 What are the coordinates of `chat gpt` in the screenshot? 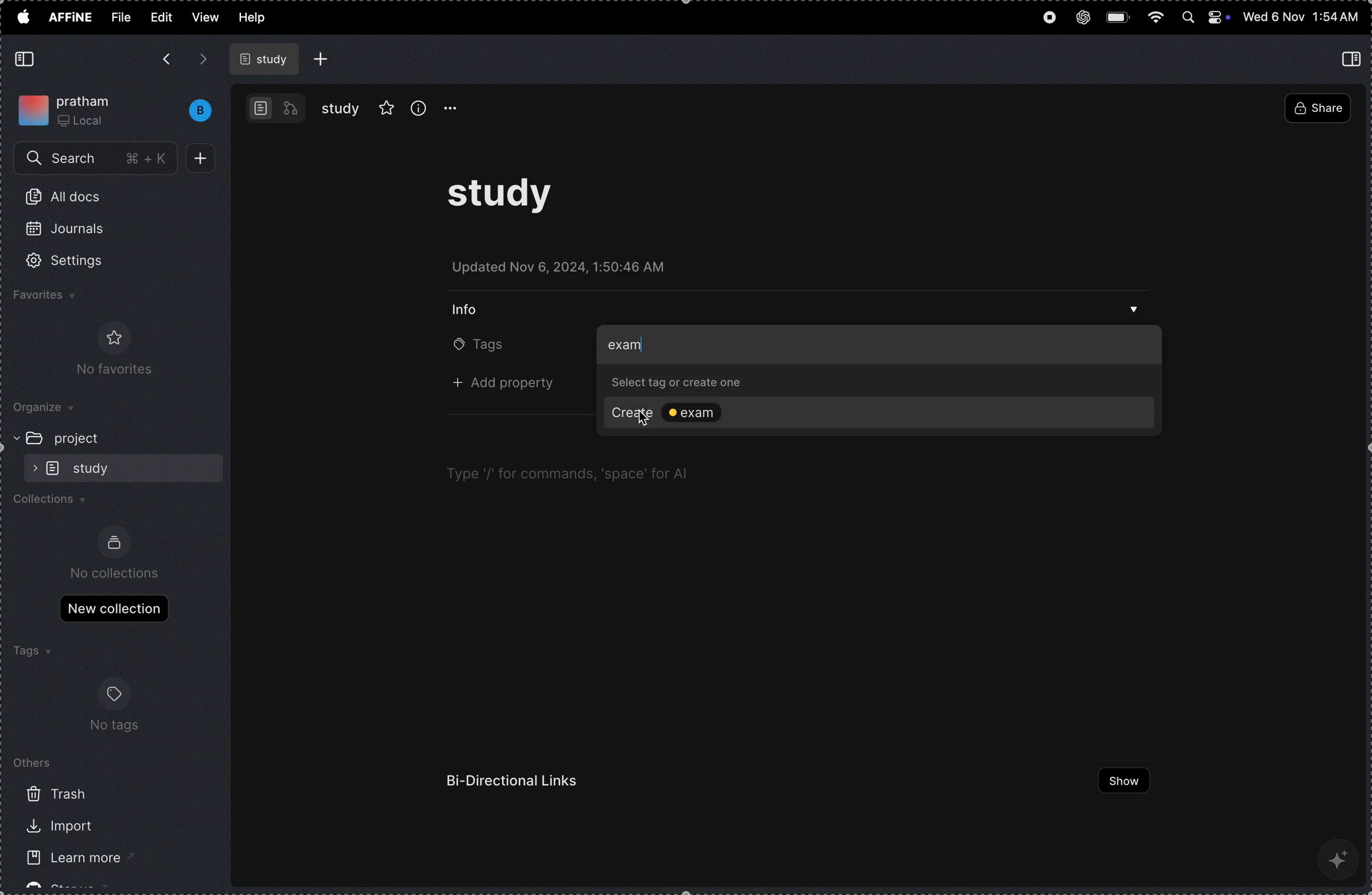 It's located at (1083, 14).